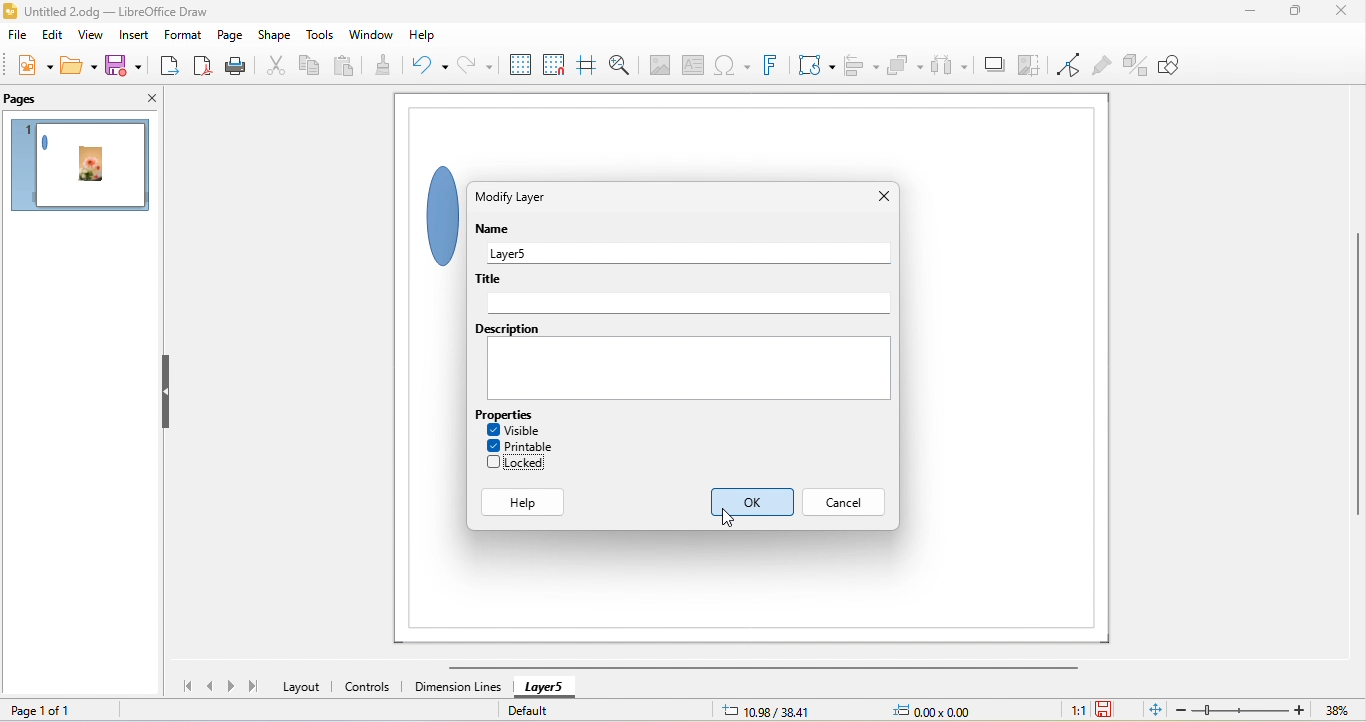 The width and height of the screenshot is (1366, 722). I want to click on layout, so click(302, 686).